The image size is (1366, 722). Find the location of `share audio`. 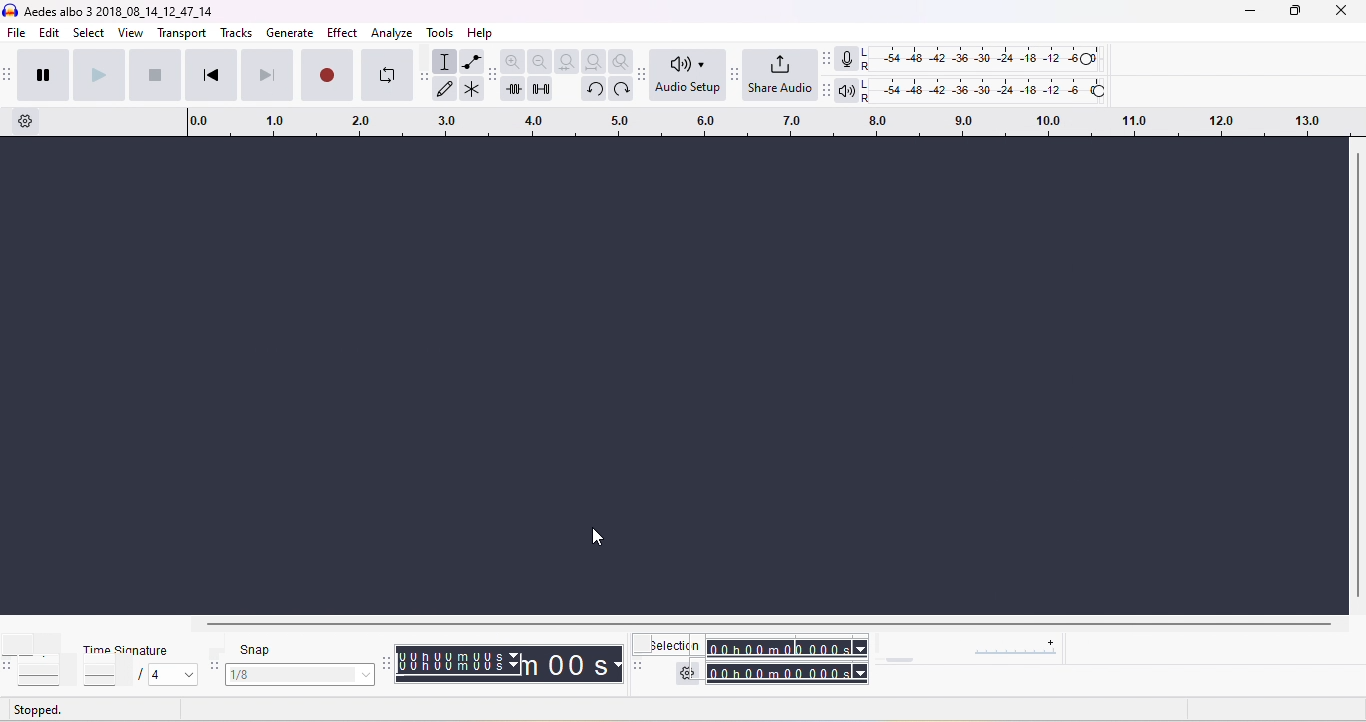

share audio is located at coordinates (780, 77).